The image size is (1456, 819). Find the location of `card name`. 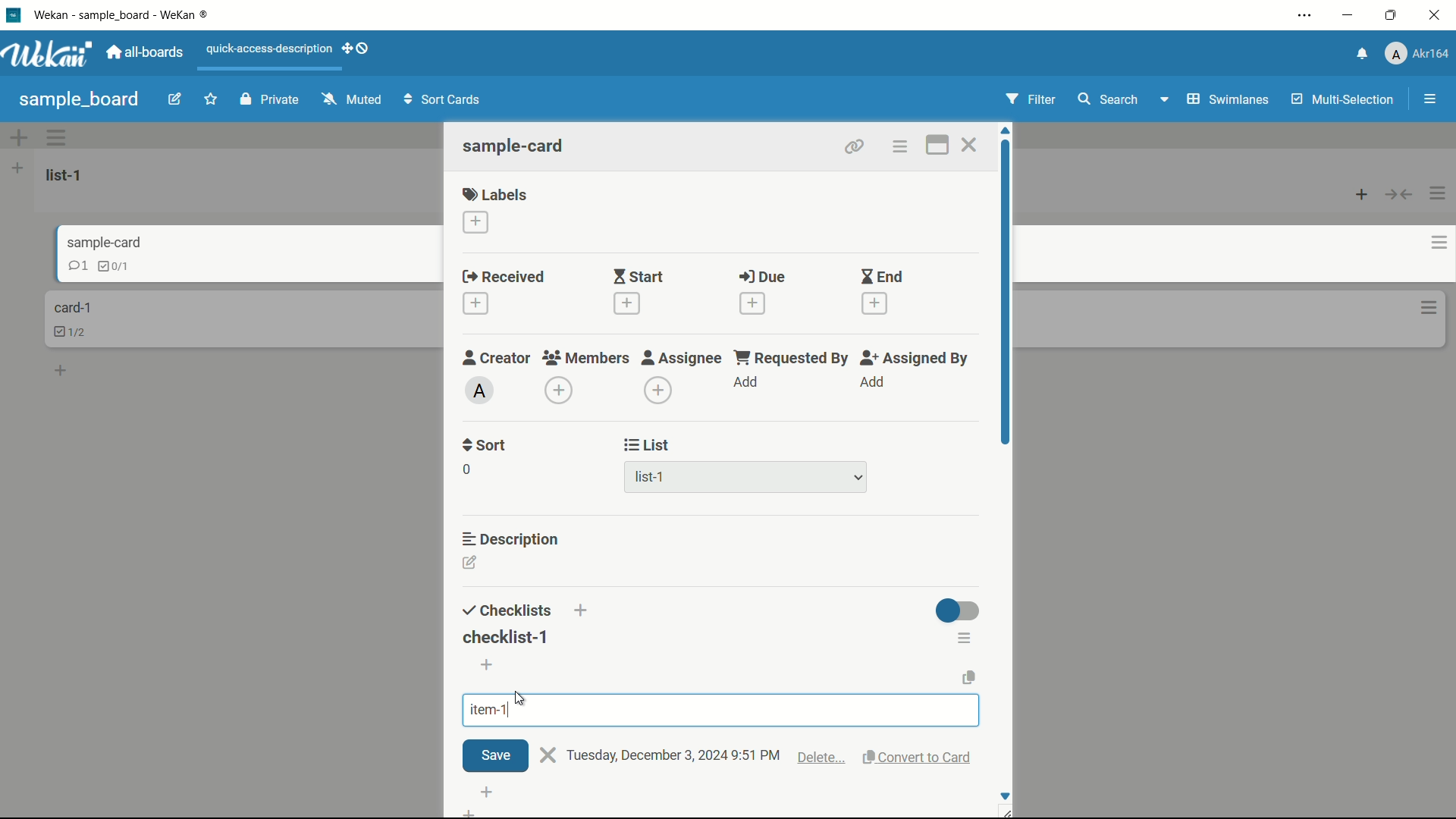

card name is located at coordinates (72, 307).